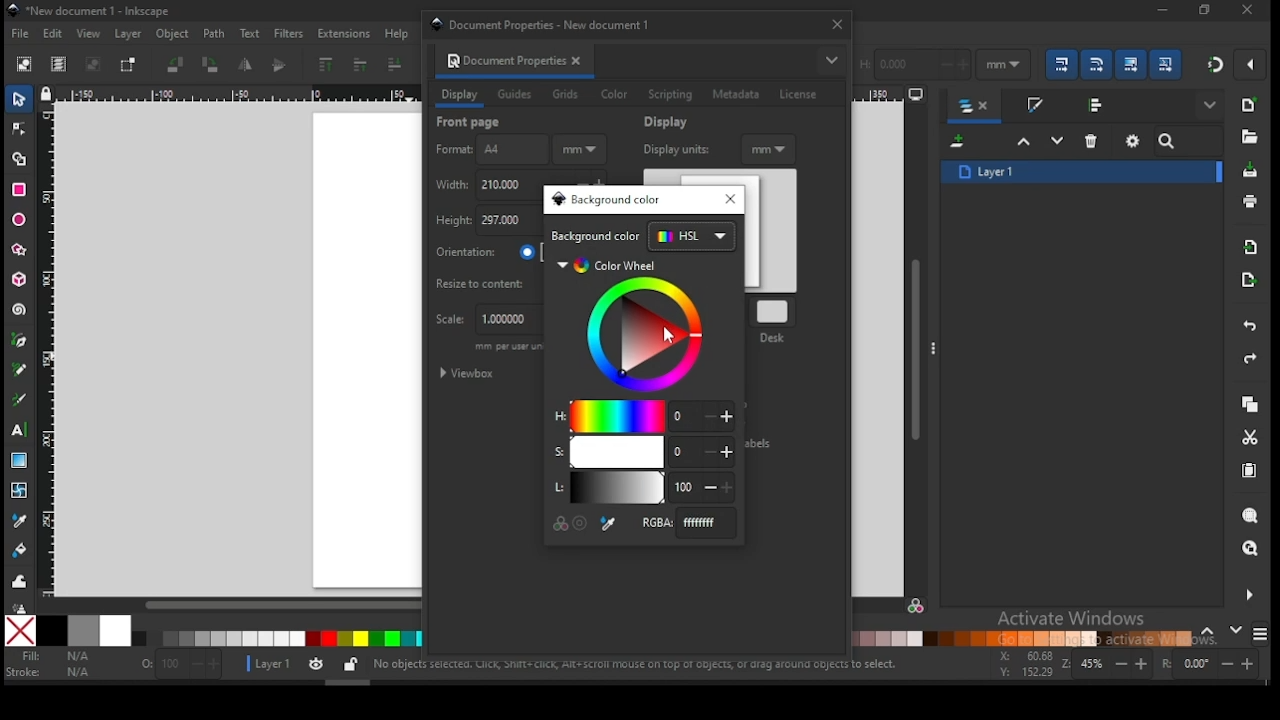 The width and height of the screenshot is (1280, 720). What do you see at coordinates (1250, 202) in the screenshot?
I see `print` at bounding box center [1250, 202].